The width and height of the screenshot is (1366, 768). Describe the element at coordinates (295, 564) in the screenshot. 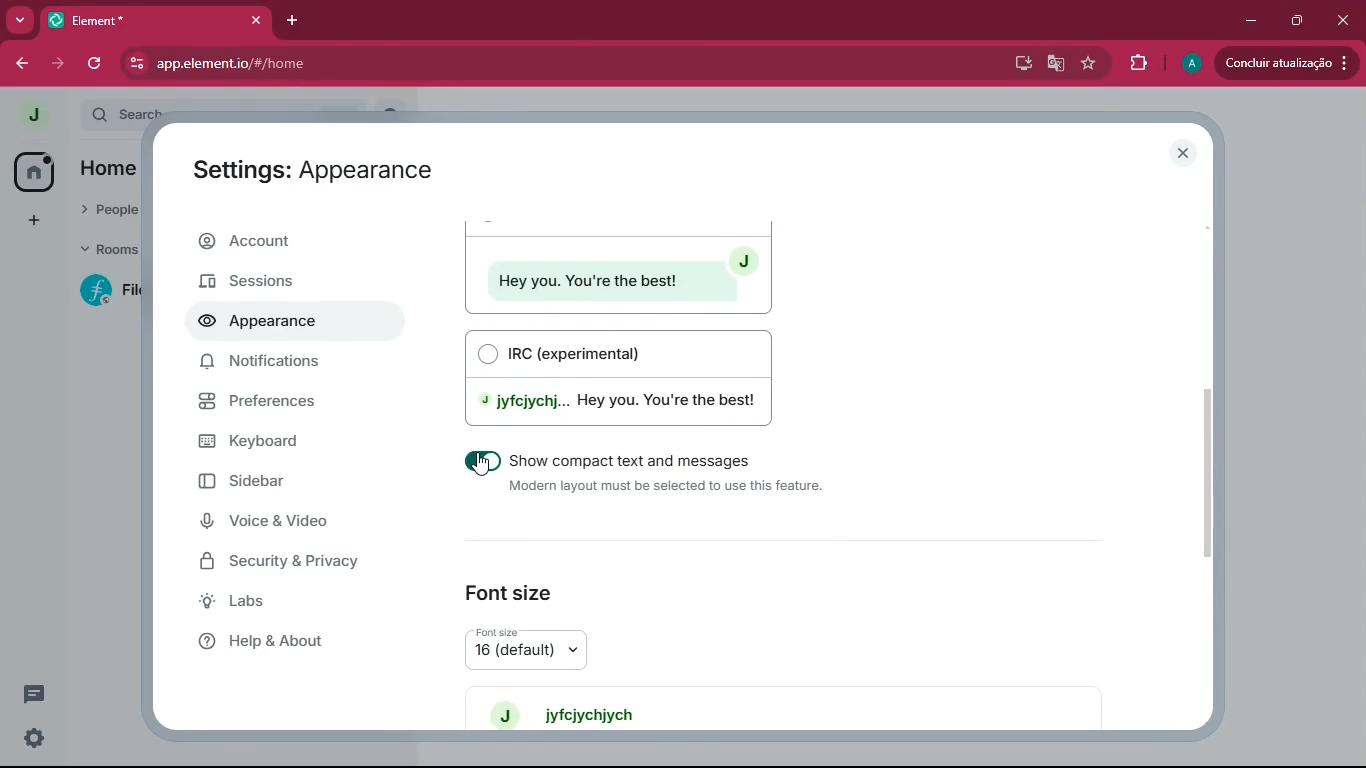

I see `security` at that location.